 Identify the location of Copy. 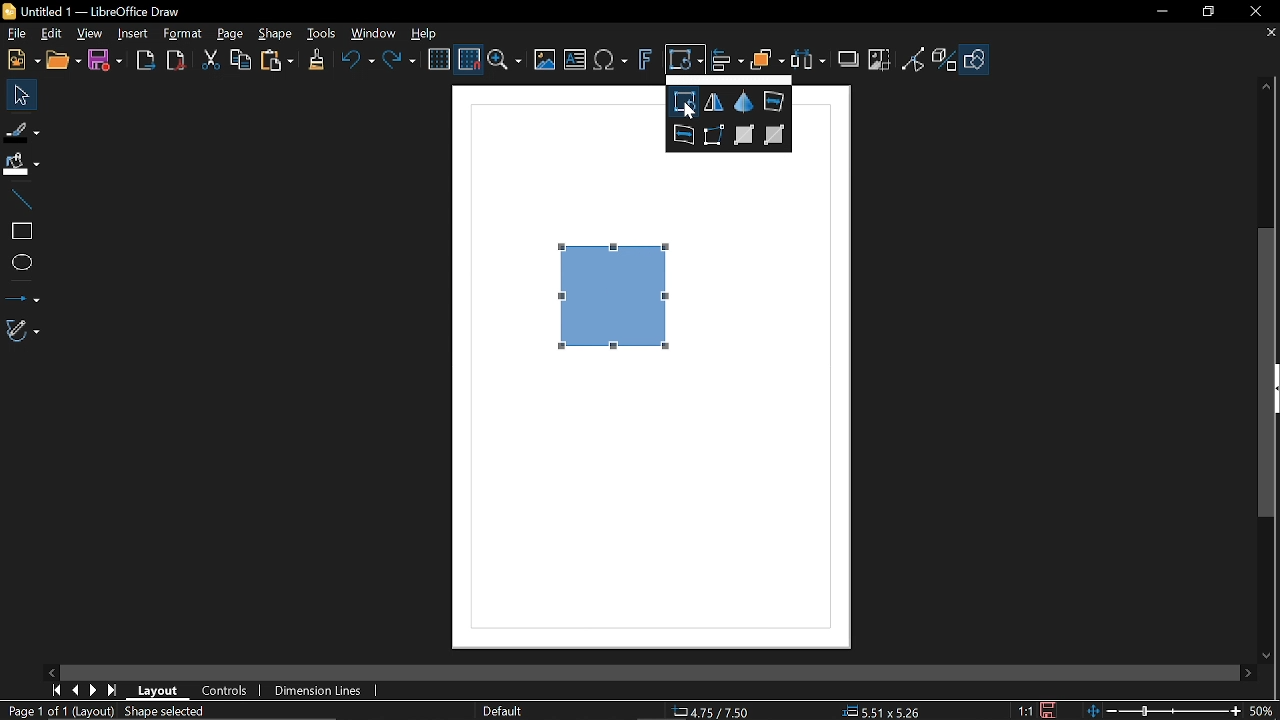
(241, 61).